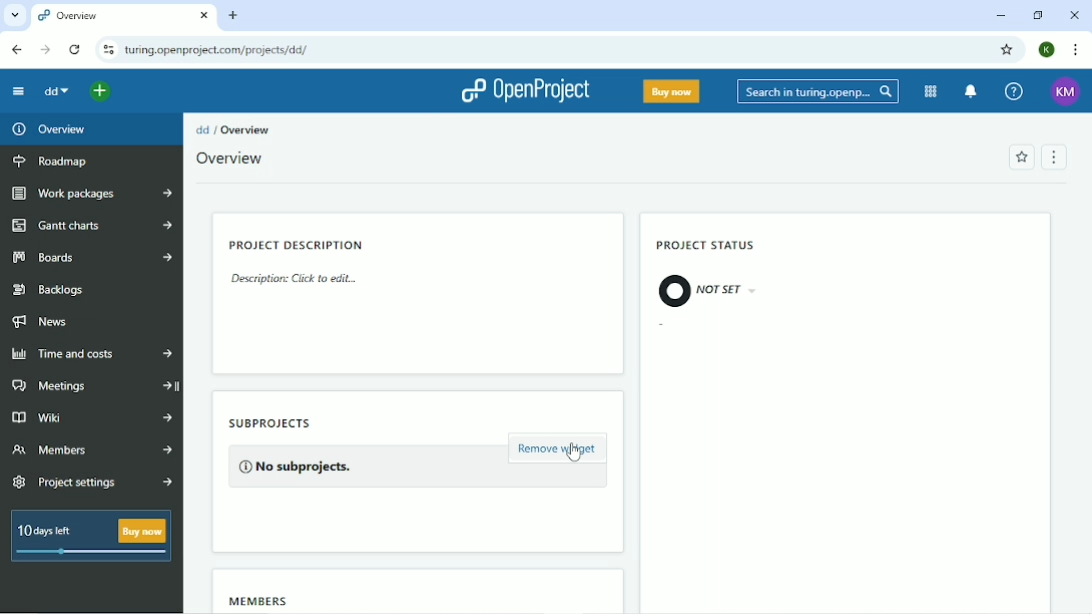 This screenshot has height=614, width=1092. I want to click on dd, so click(203, 129).